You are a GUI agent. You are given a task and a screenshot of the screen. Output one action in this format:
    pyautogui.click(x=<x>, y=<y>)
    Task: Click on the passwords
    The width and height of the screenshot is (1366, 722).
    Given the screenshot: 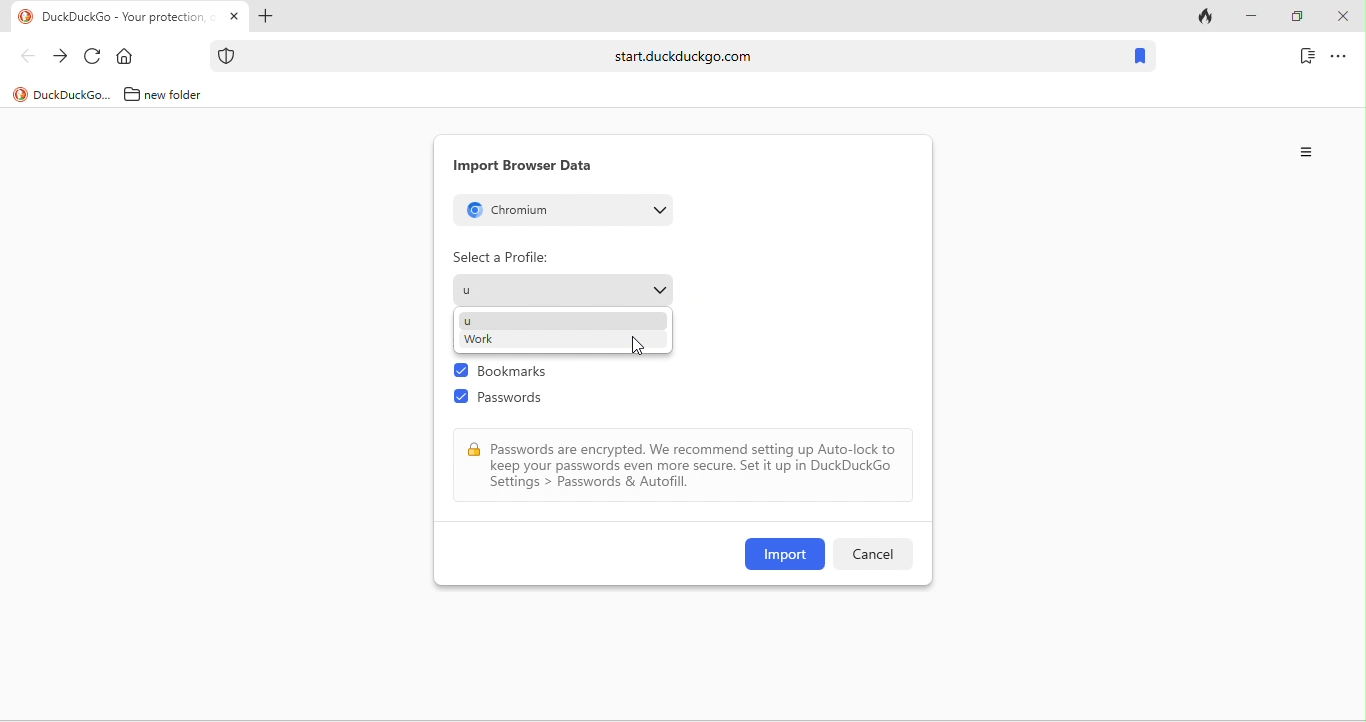 What is the action you would take?
    pyautogui.click(x=520, y=401)
    